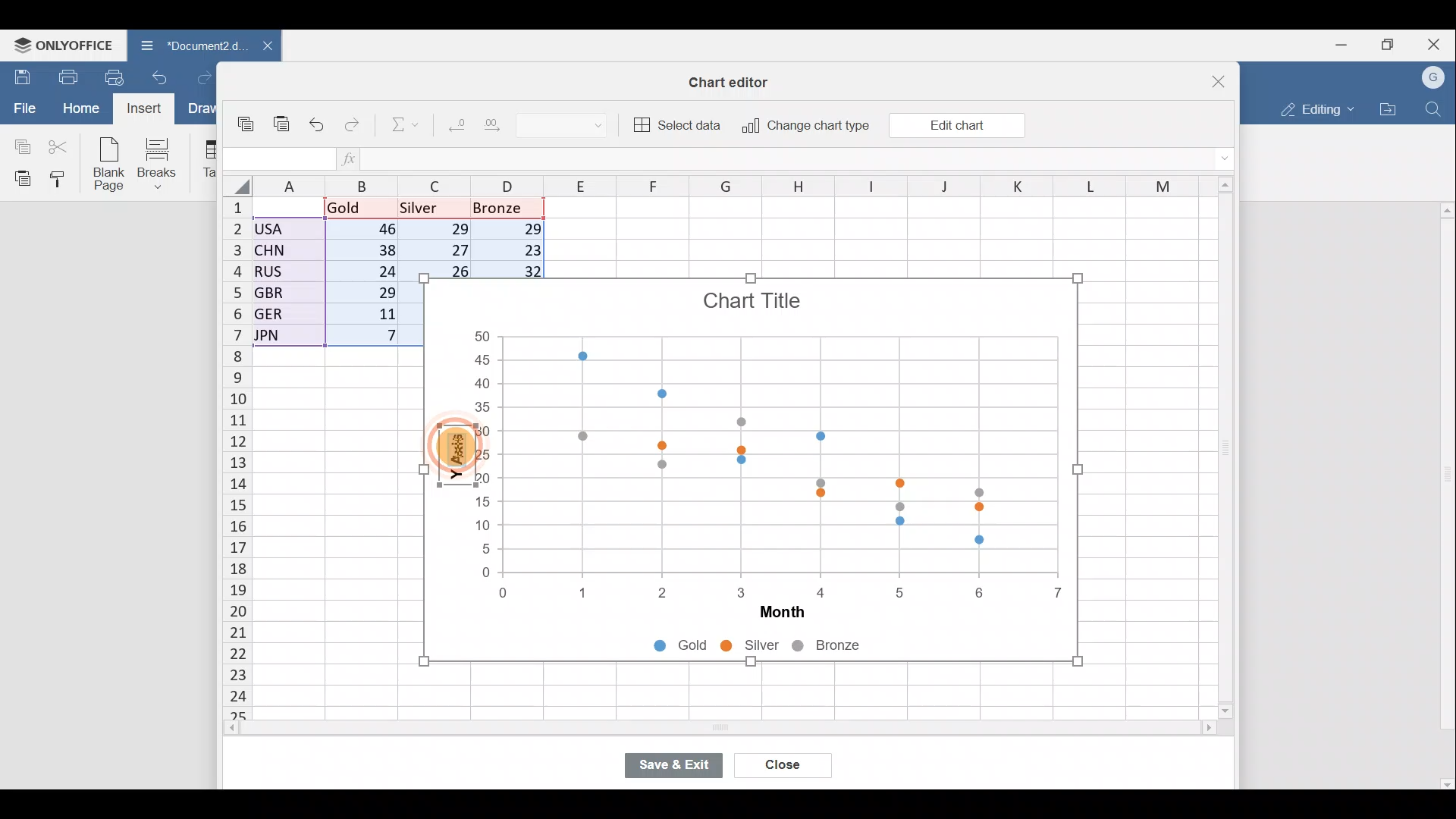 This screenshot has height=819, width=1456. Describe the element at coordinates (736, 79) in the screenshot. I see `Chart editor` at that location.